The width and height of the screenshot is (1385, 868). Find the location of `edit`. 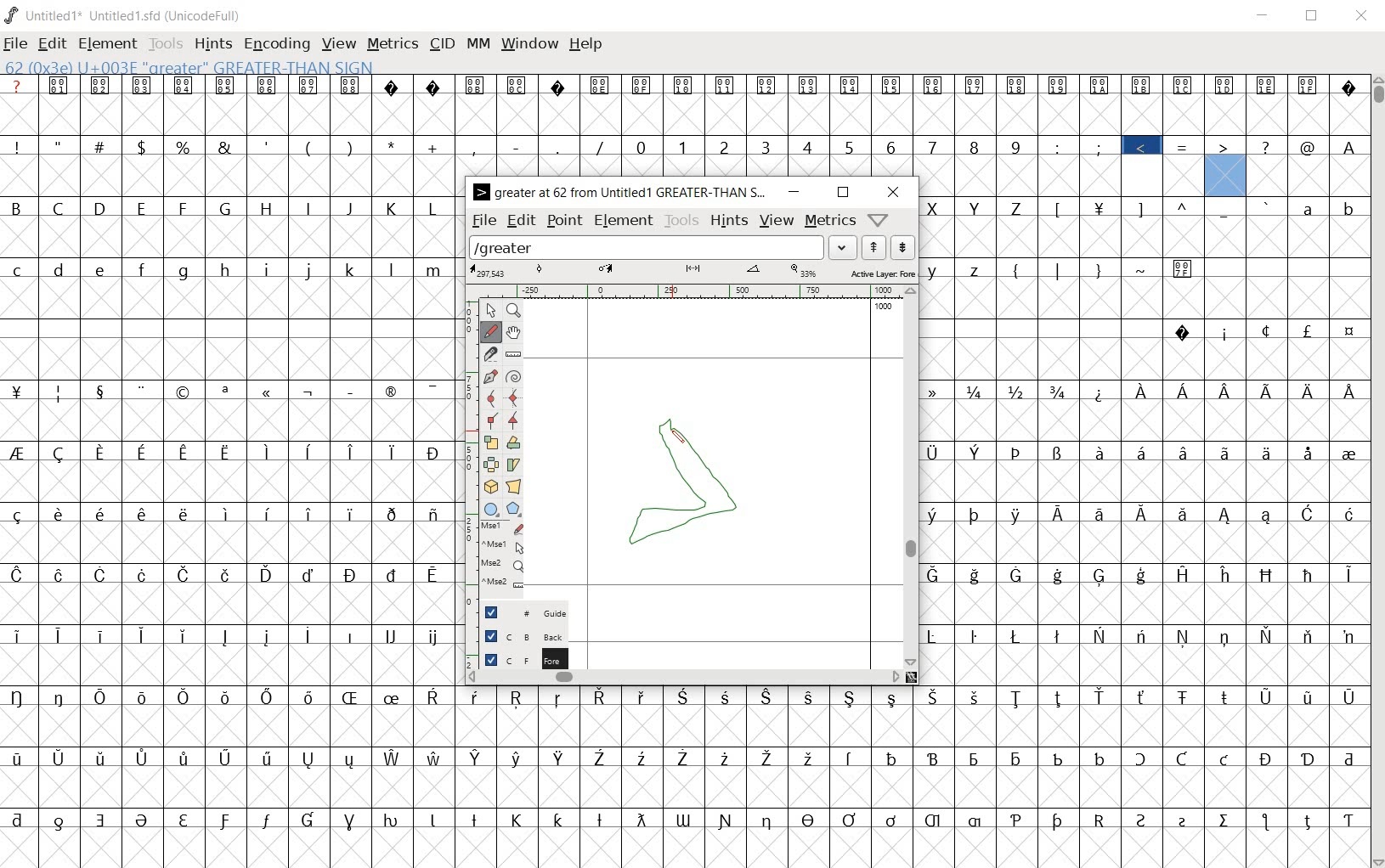

edit is located at coordinates (519, 222).